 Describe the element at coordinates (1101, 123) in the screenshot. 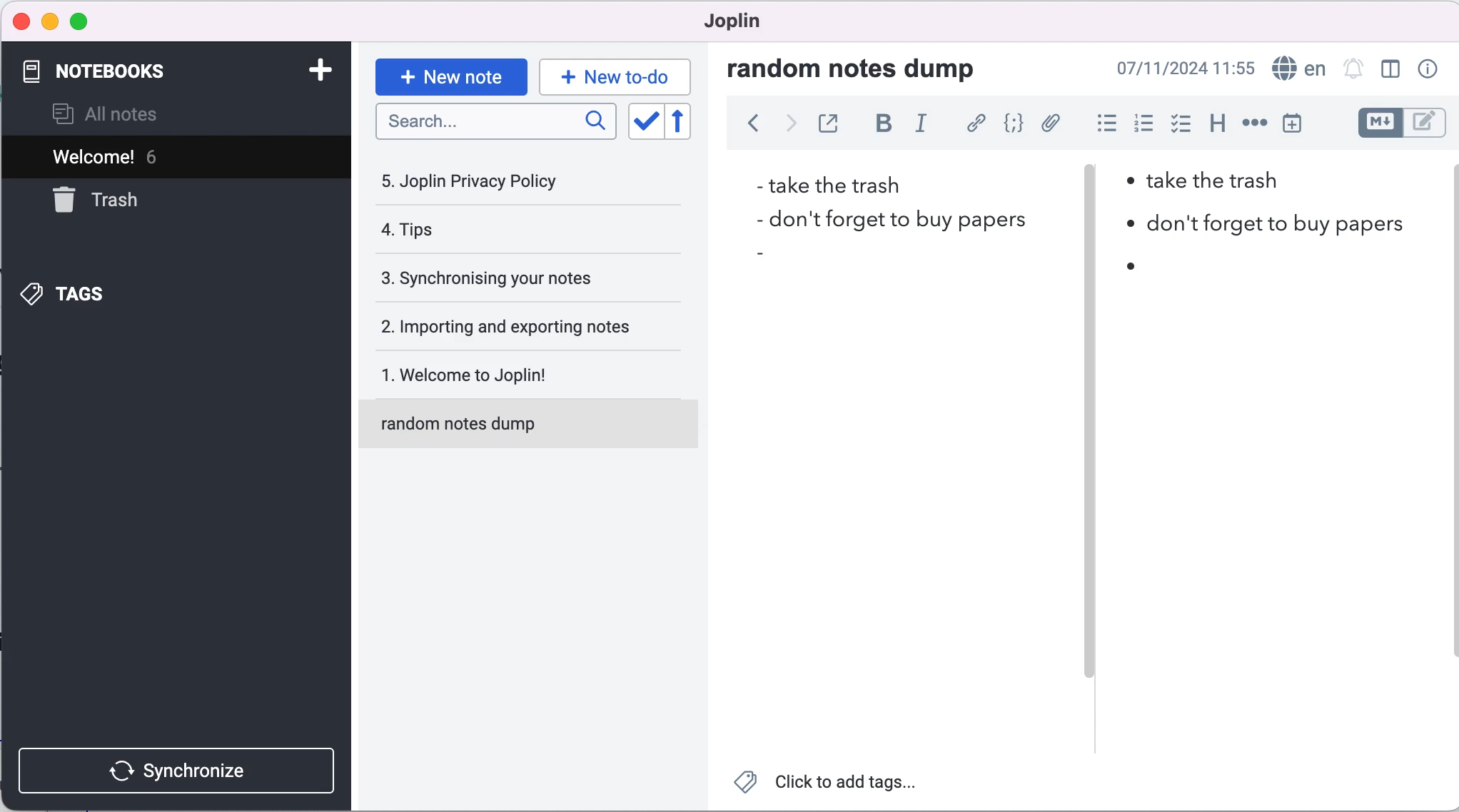

I see `bulleted list` at that location.